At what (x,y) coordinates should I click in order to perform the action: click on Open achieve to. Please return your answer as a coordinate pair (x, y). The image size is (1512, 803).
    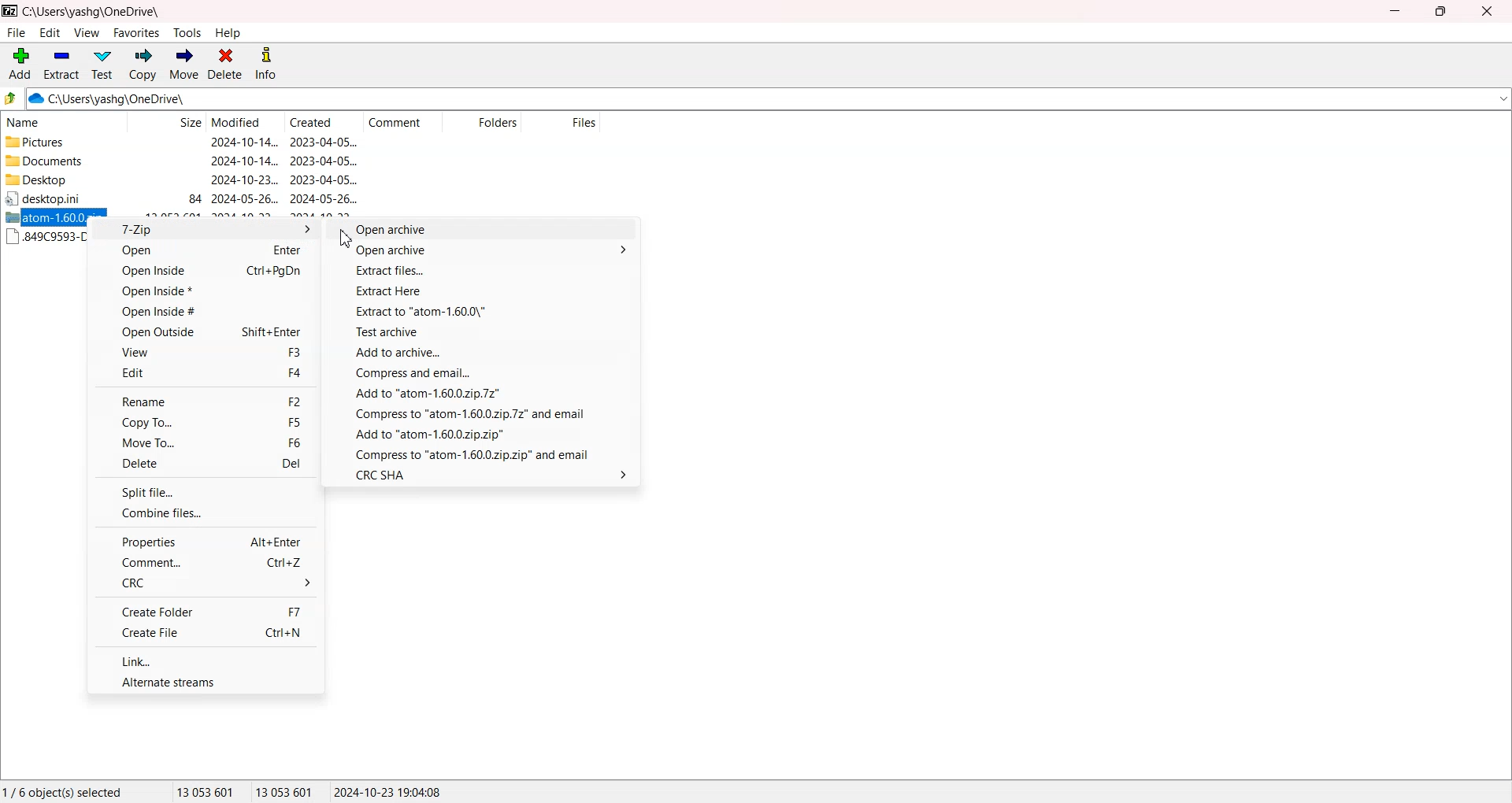
    Looking at the image, I should click on (486, 252).